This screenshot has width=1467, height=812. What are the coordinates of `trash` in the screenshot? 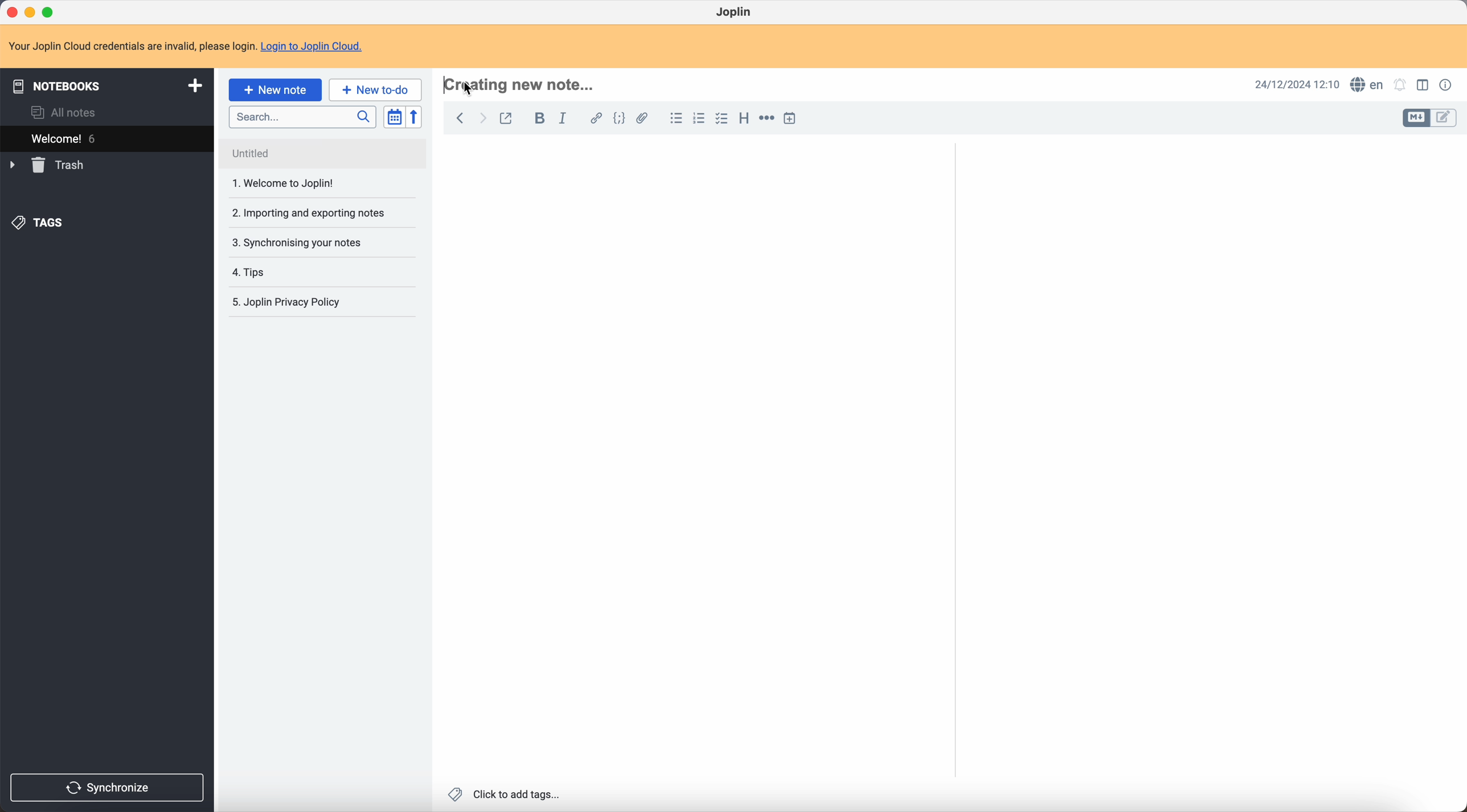 It's located at (49, 165).